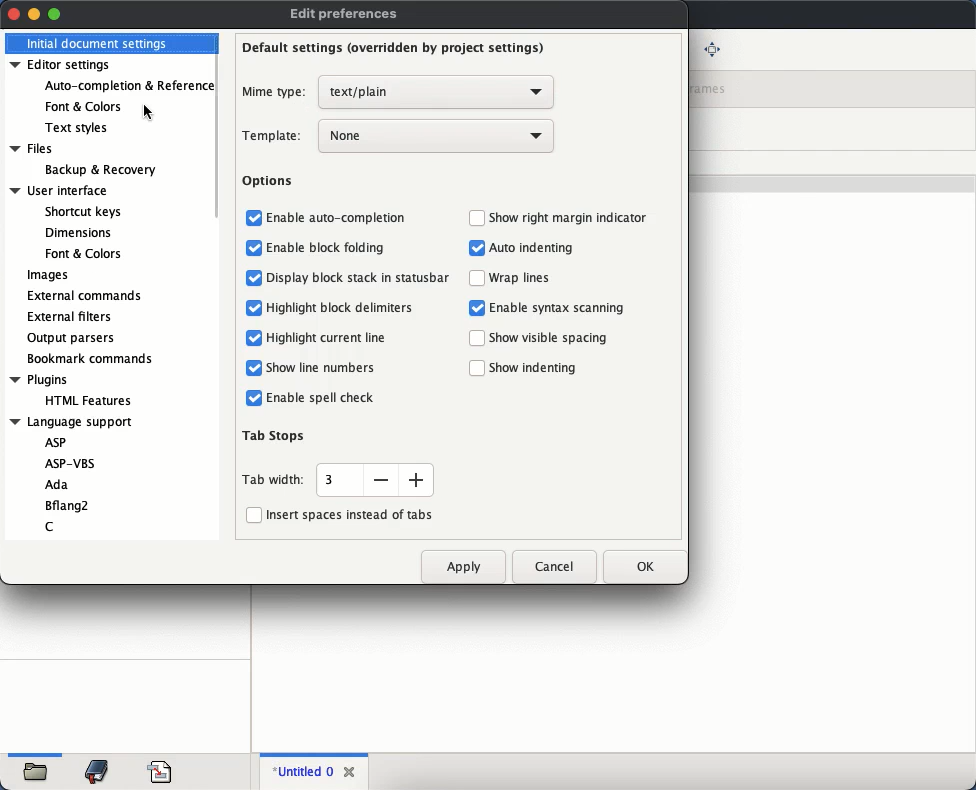  I want to click on font and colors, so click(85, 107).